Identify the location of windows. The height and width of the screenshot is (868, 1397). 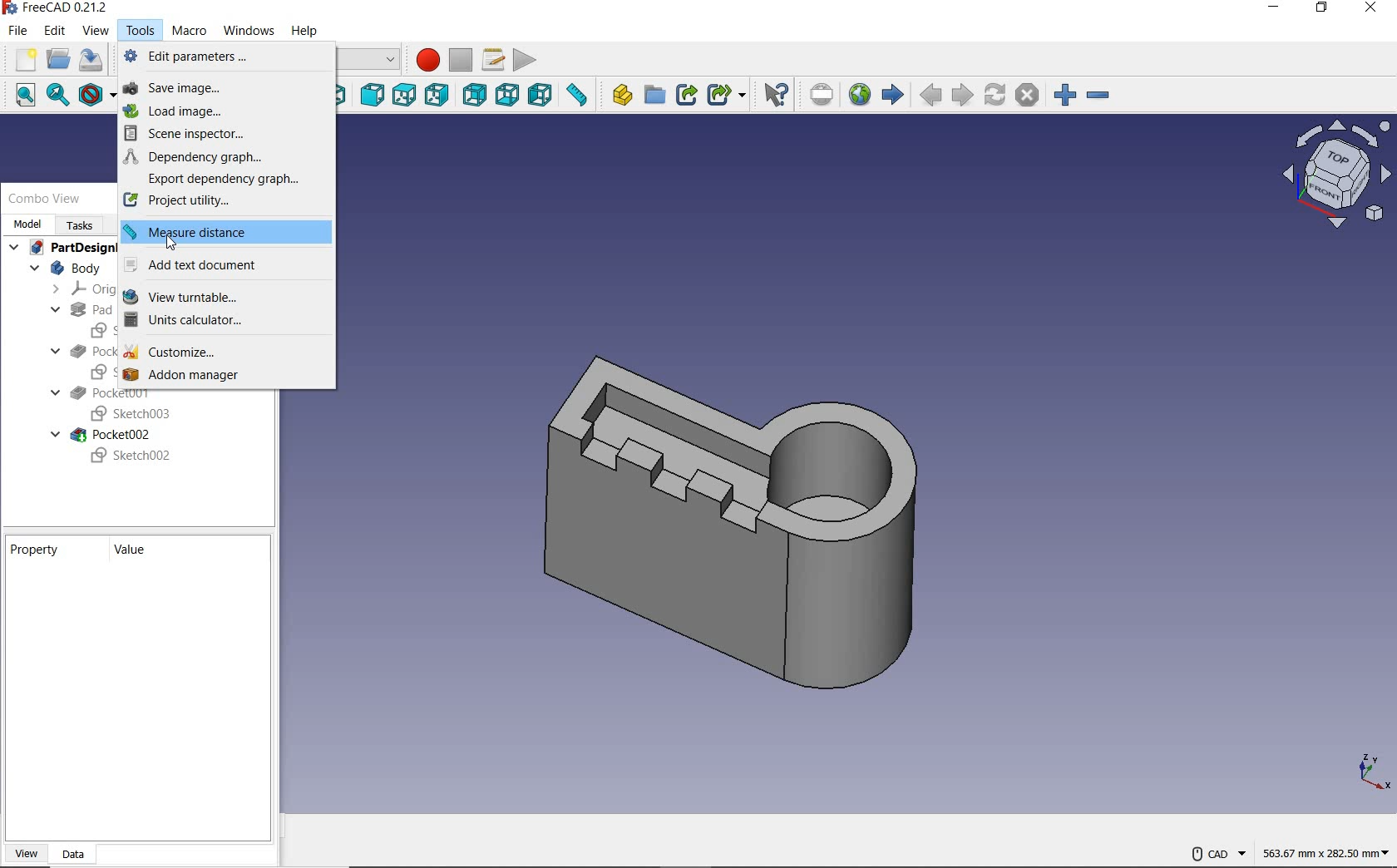
(250, 32).